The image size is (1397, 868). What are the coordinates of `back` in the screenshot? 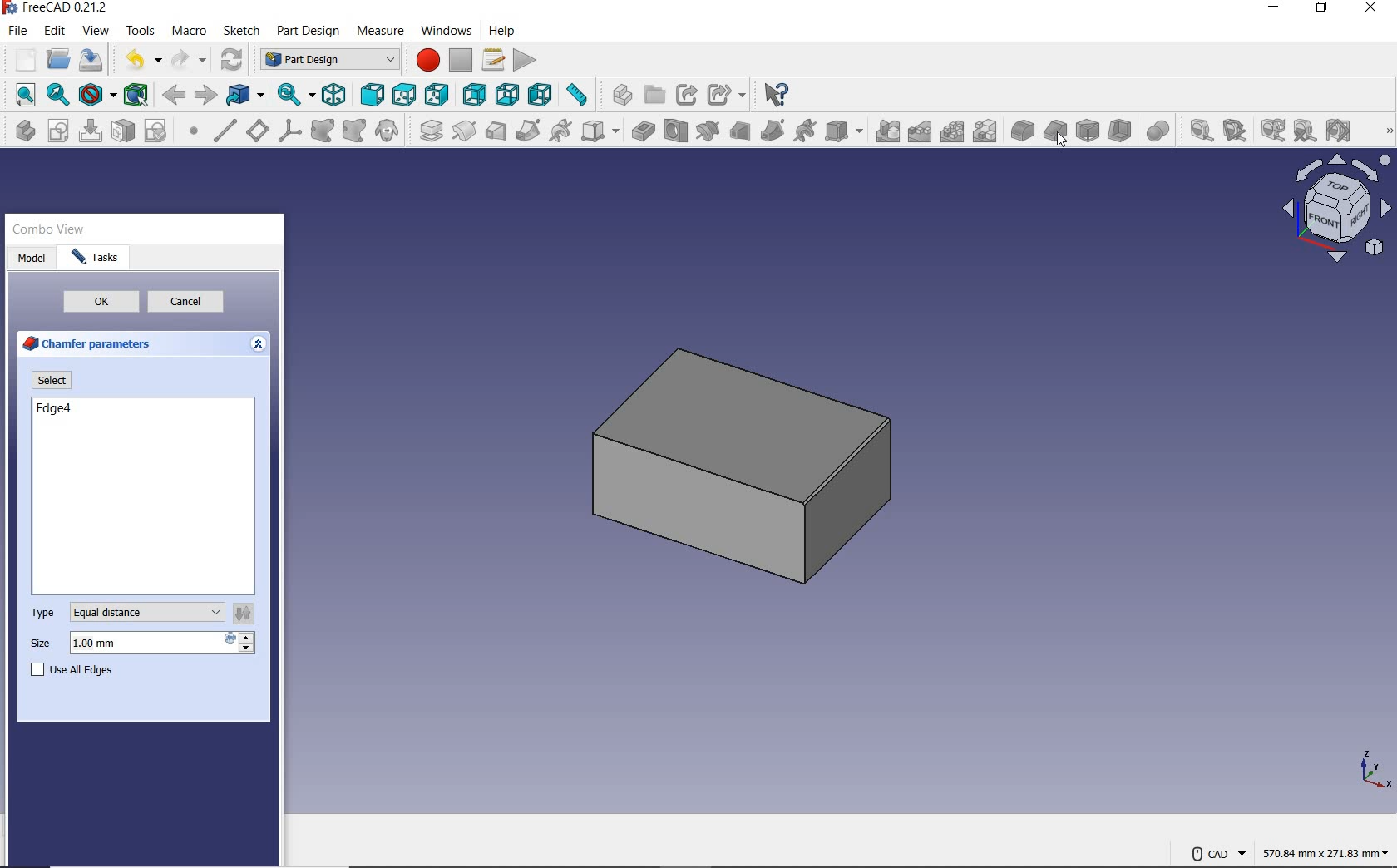 It's located at (173, 96).